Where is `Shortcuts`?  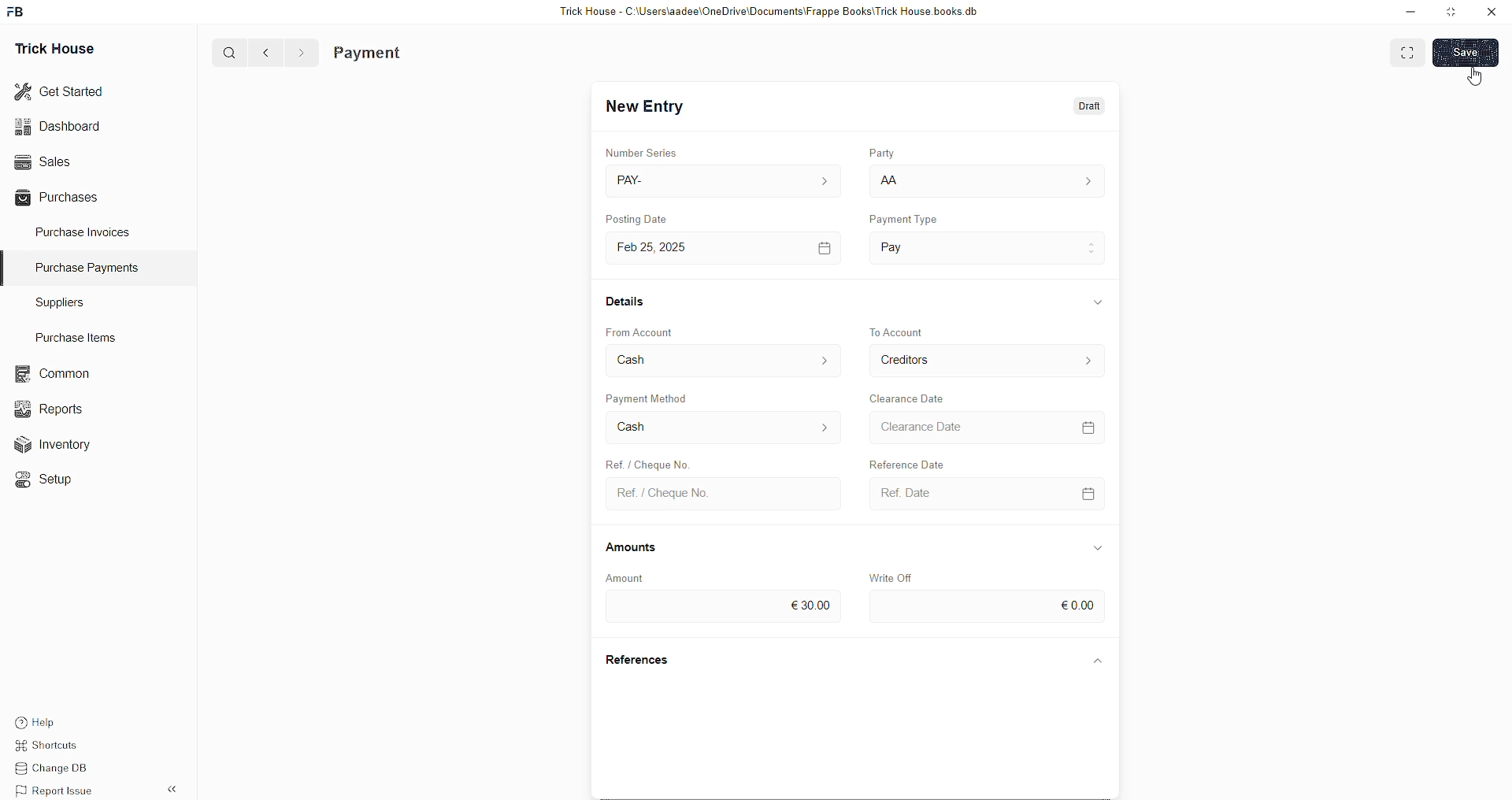 Shortcuts is located at coordinates (56, 747).